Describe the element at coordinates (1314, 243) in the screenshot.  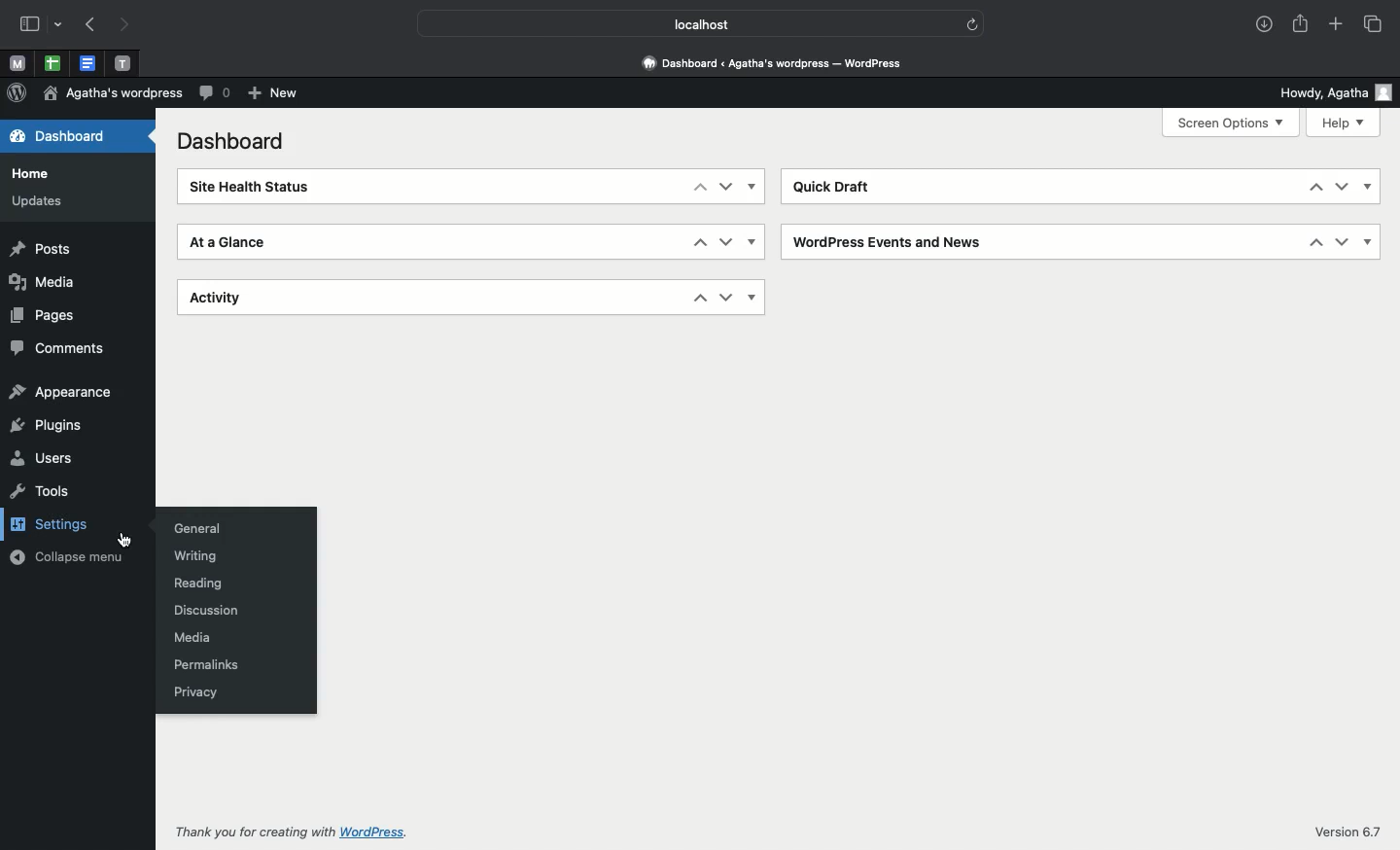
I see `Up` at that location.